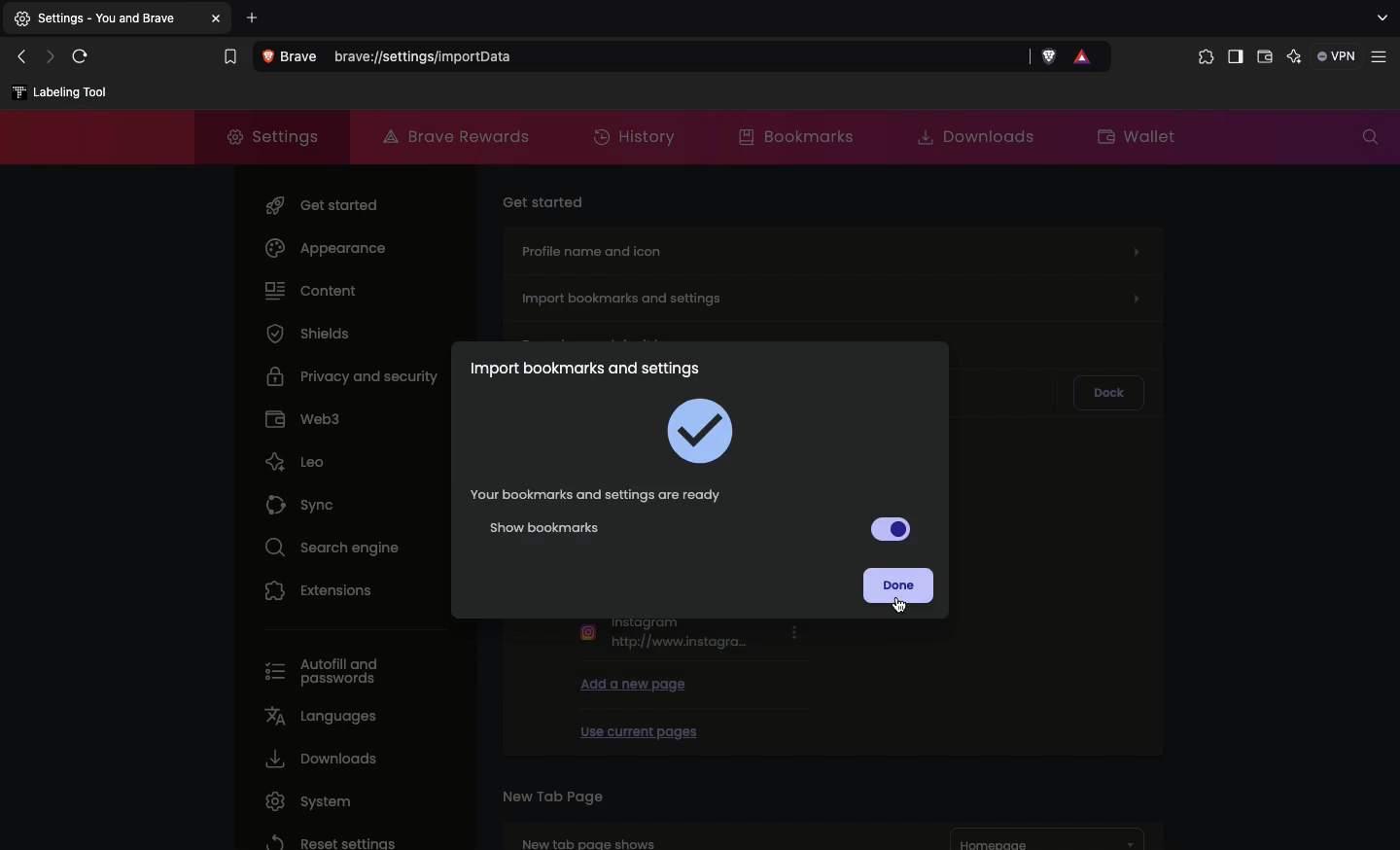  Describe the element at coordinates (318, 759) in the screenshot. I see `Downloads` at that location.